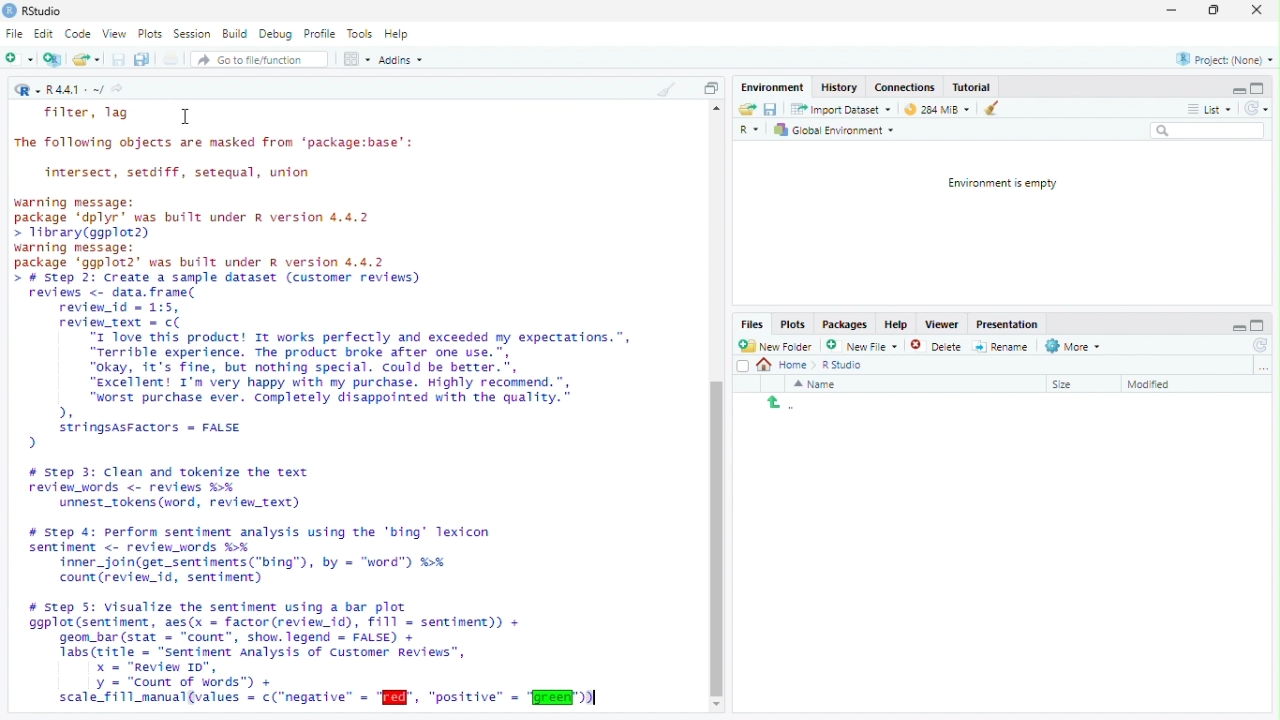 The height and width of the screenshot is (720, 1280). Describe the element at coordinates (1216, 11) in the screenshot. I see `Restore Down` at that location.